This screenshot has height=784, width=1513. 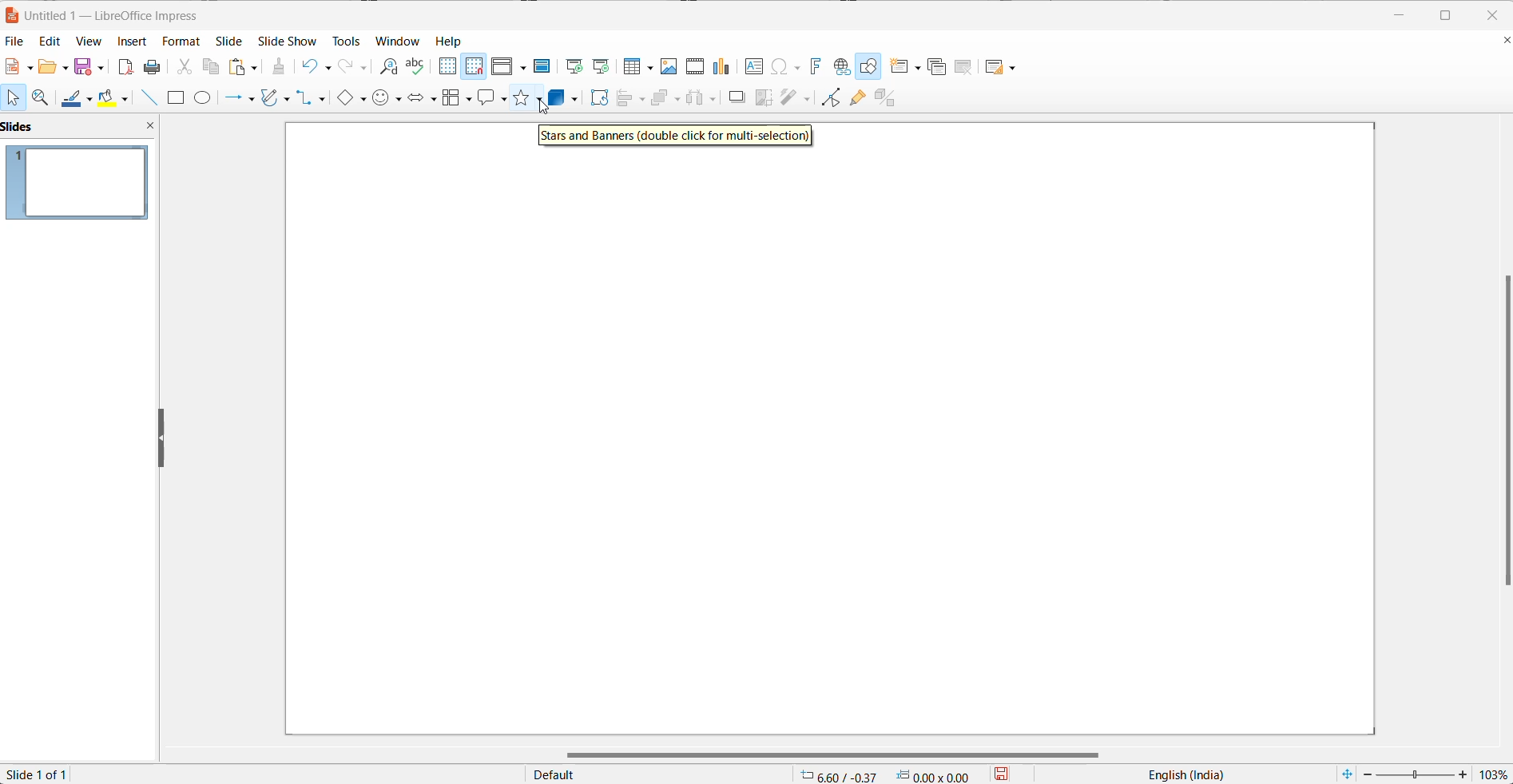 What do you see at coordinates (46, 42) in the screenshot?
I see `edit` at bounding box center [46, 42].